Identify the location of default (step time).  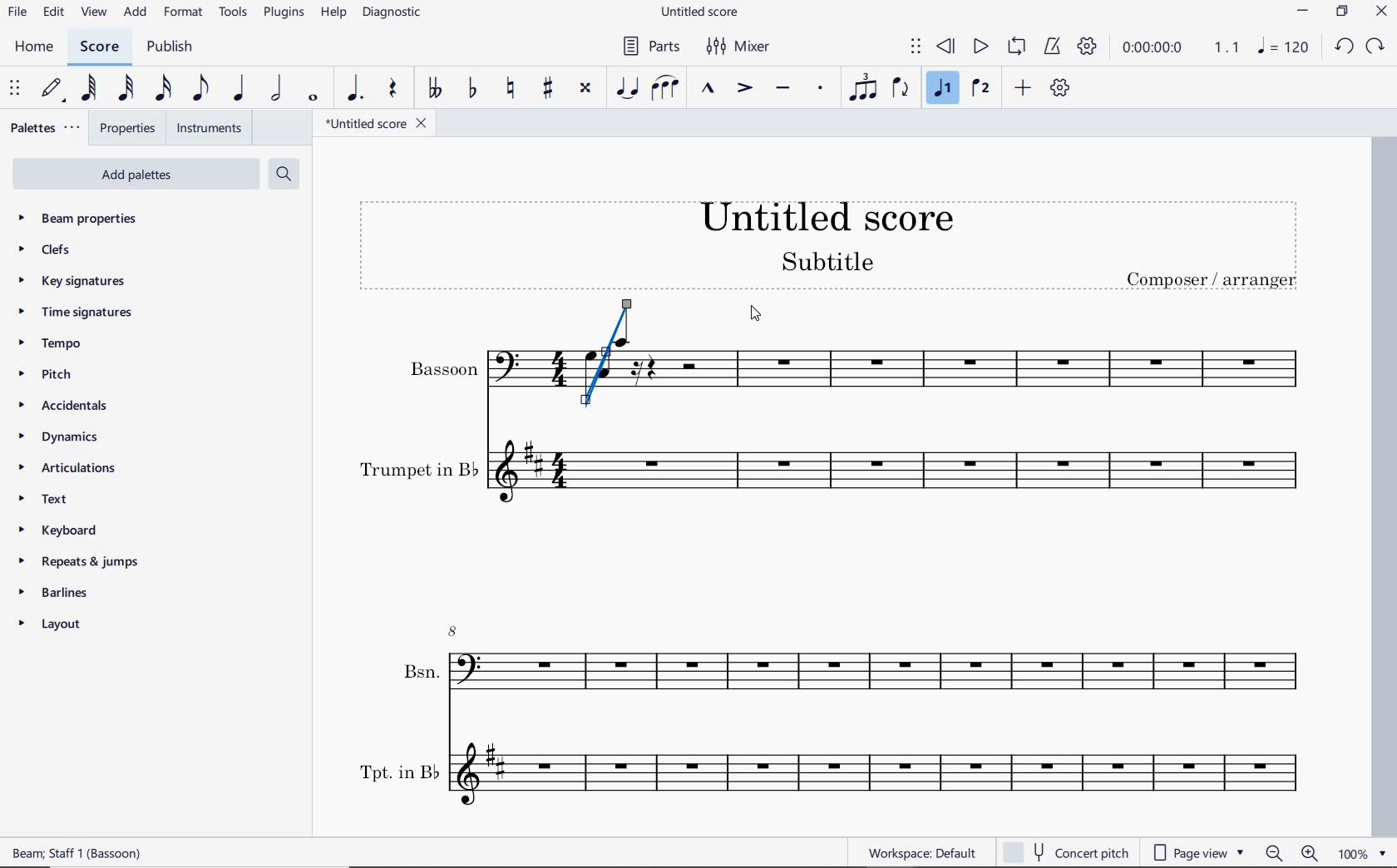
(54, 88).